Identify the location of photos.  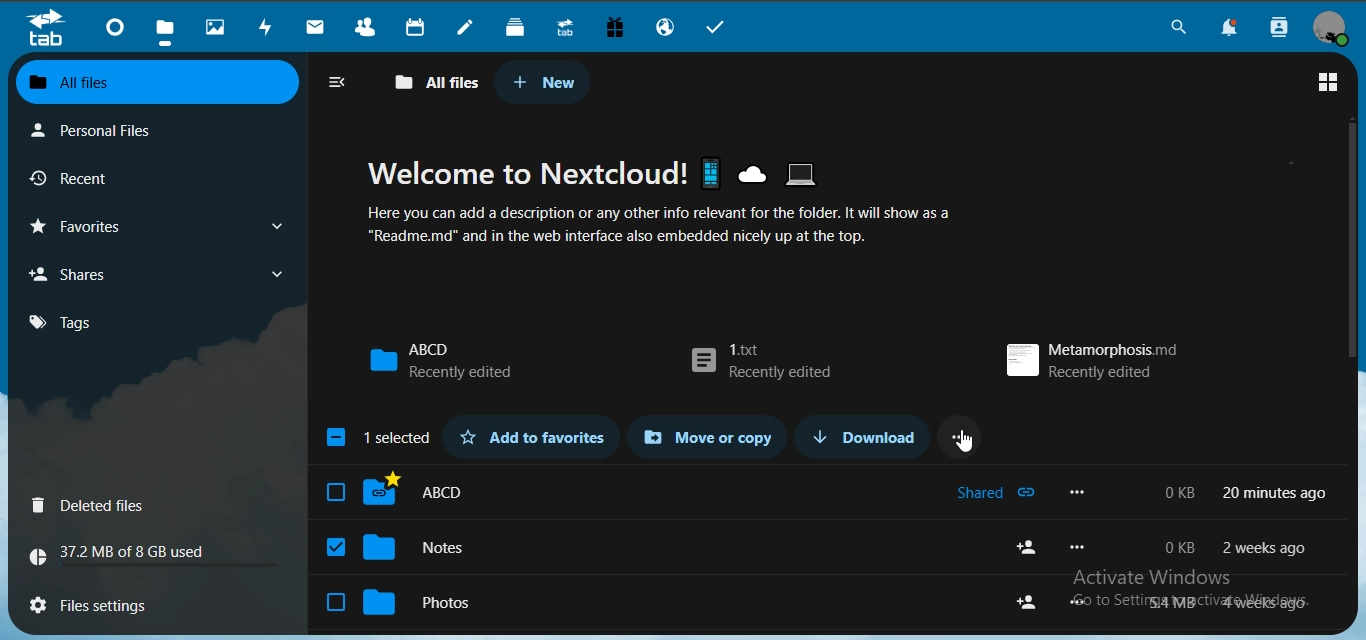
(464, 599).